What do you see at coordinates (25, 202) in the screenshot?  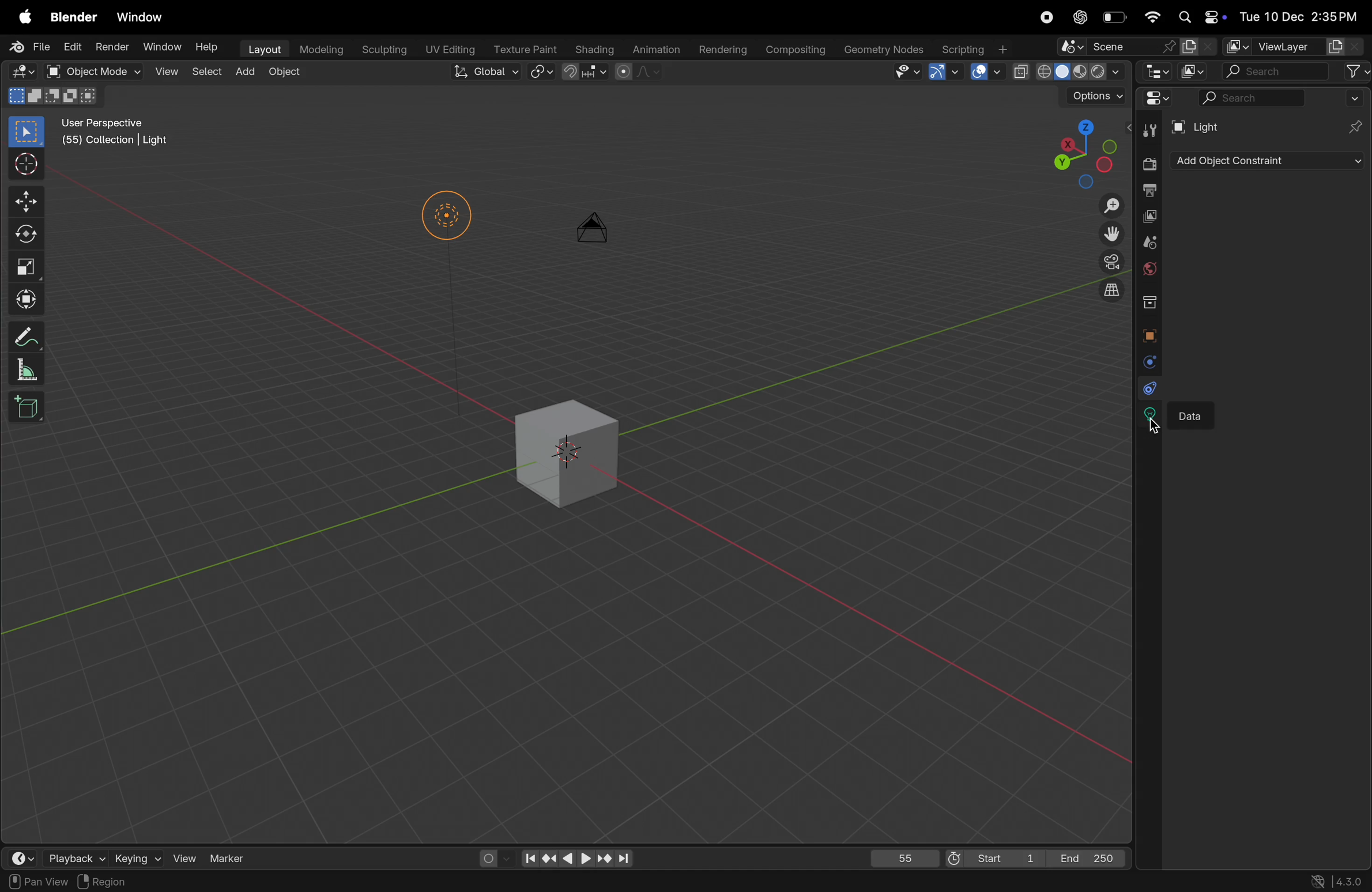 I see `move` at bounding box center [25, 202].